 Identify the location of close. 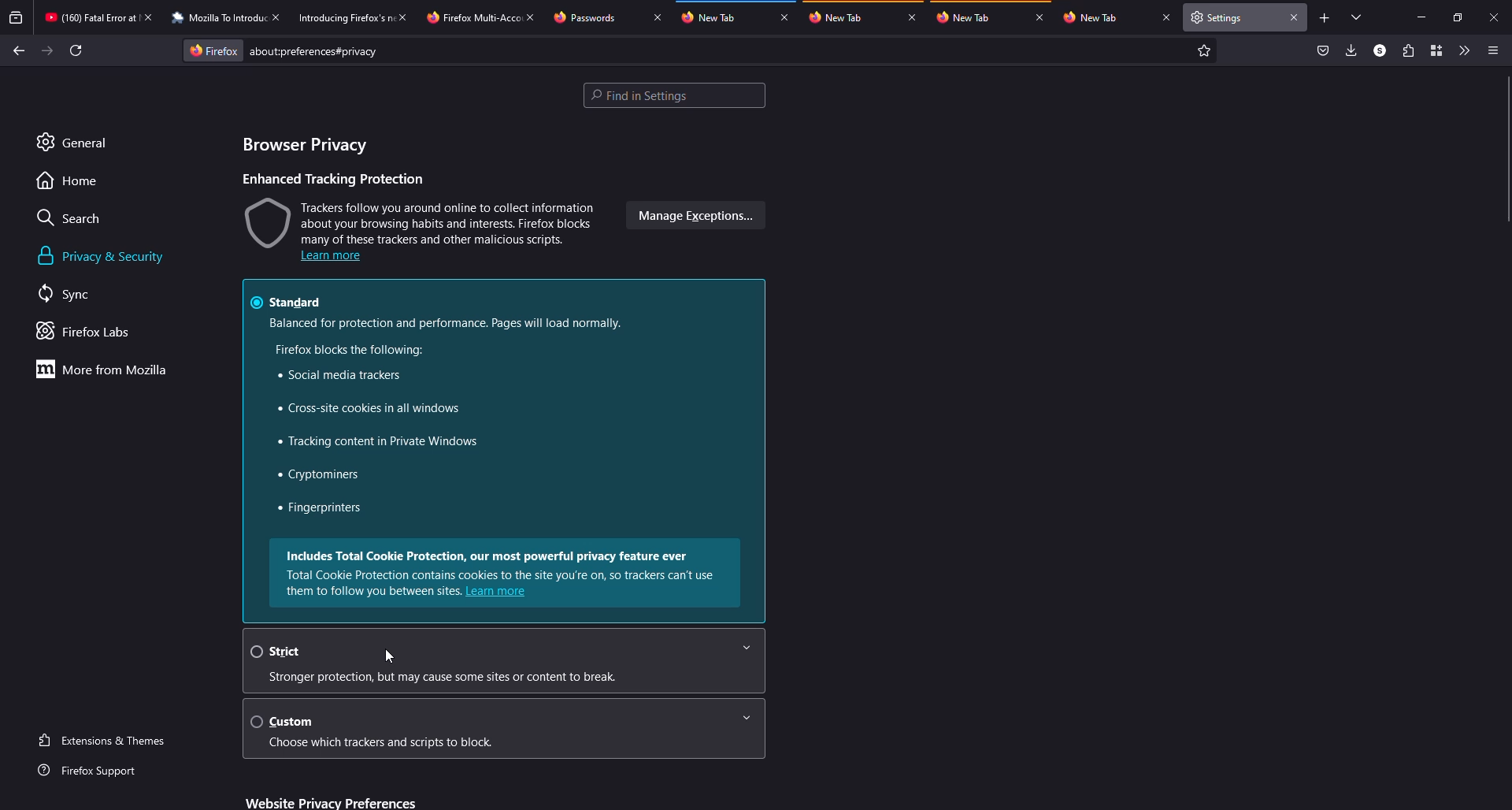
(912, 18).